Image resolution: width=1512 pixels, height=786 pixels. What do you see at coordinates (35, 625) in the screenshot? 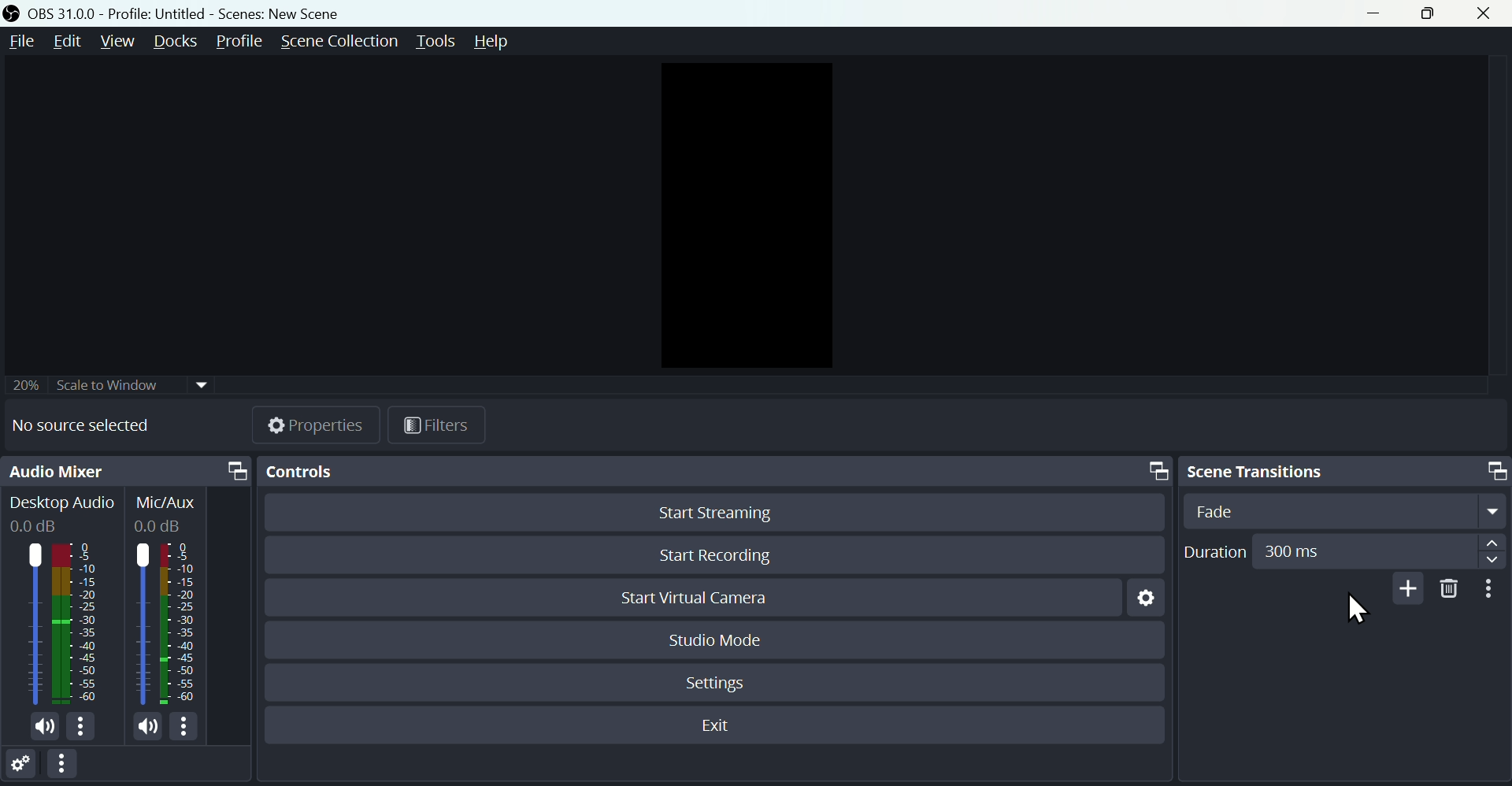
I see `Desktop icon` at bounding box center [35, 625].